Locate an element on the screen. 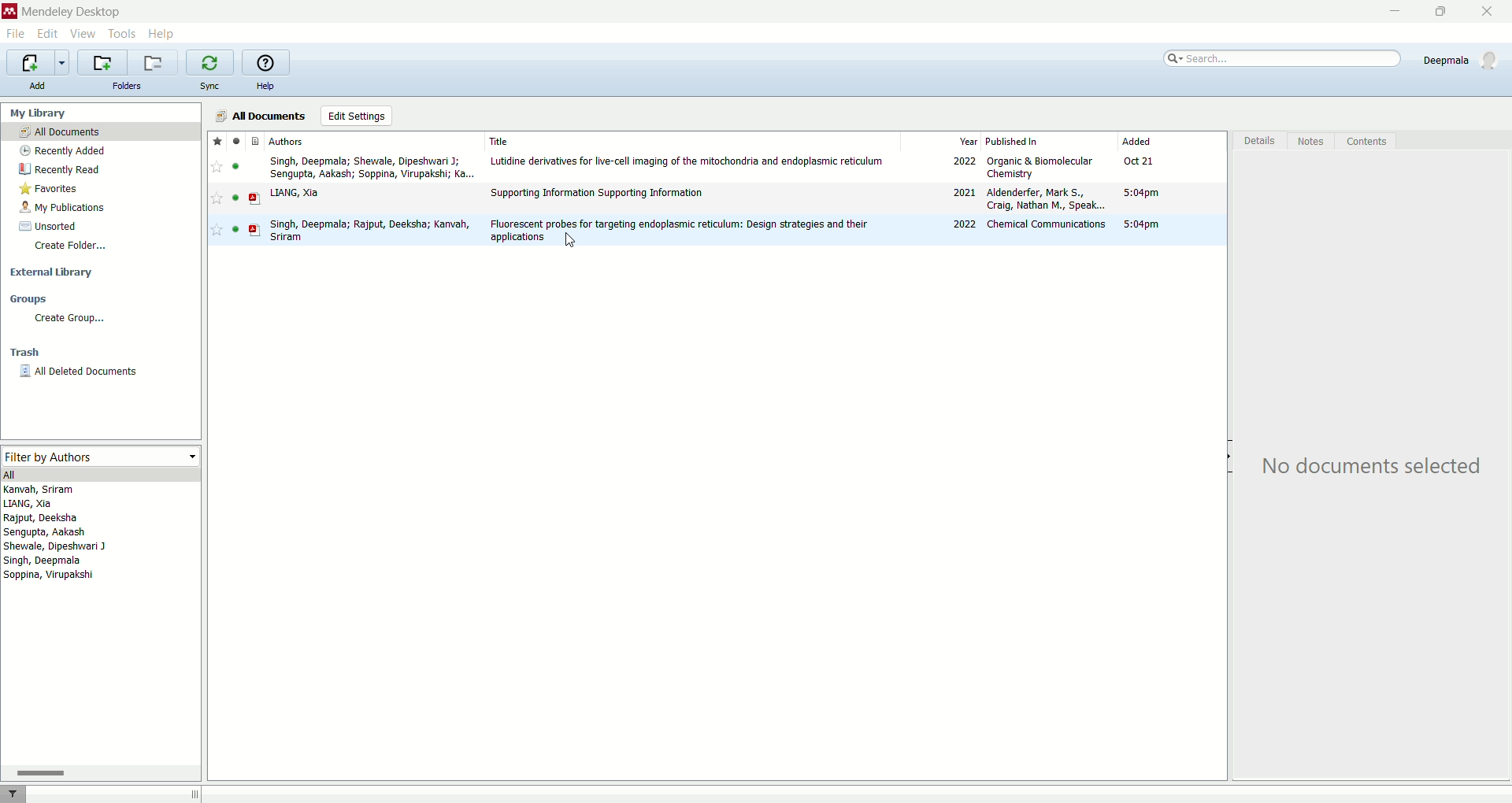 Image resolution: width=1512 pixels, height=803 pixels. 2022 is located at coordinates (965, 225).